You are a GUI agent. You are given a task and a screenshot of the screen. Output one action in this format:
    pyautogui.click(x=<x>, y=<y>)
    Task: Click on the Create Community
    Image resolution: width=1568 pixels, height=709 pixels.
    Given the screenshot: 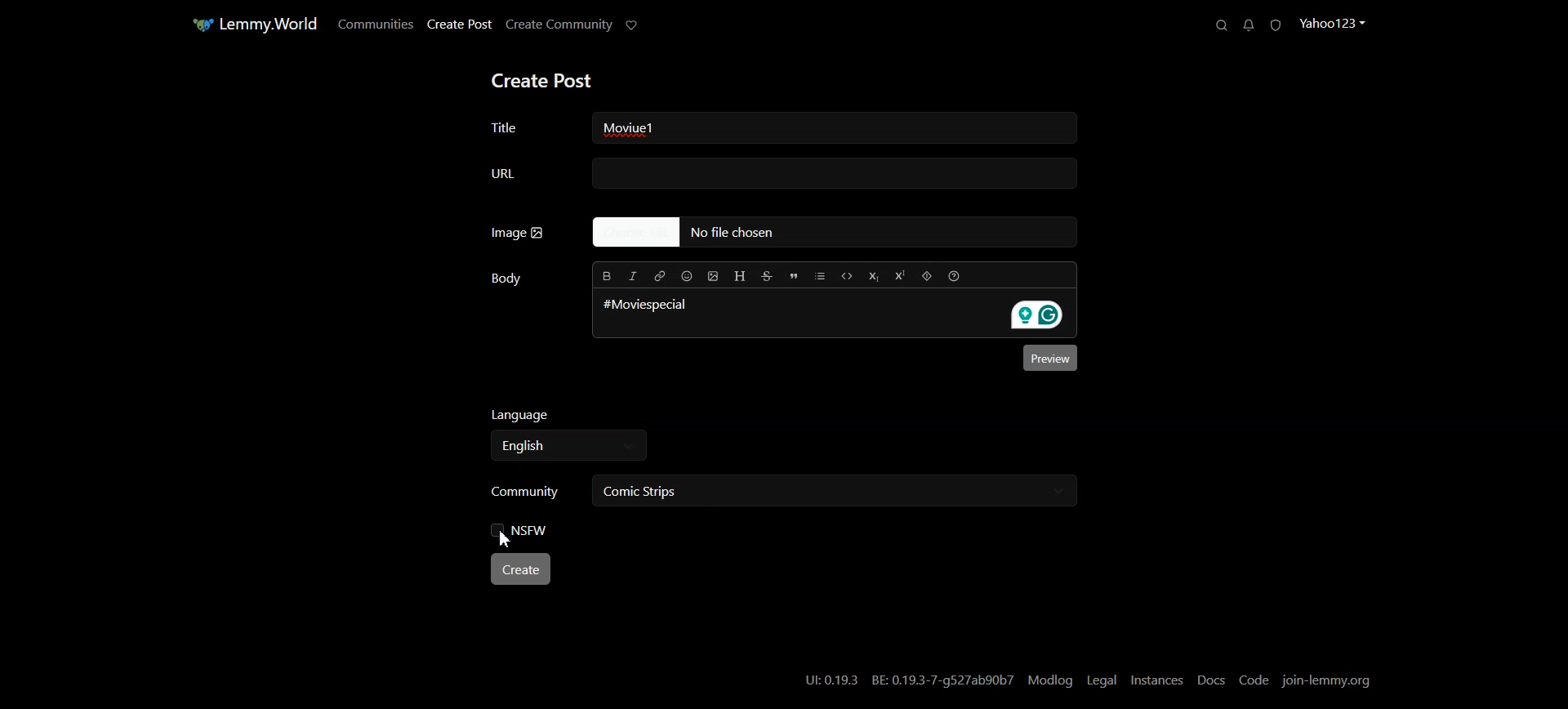 What is the action you would take?
    pyautogui.click(x=559, y=25)
    